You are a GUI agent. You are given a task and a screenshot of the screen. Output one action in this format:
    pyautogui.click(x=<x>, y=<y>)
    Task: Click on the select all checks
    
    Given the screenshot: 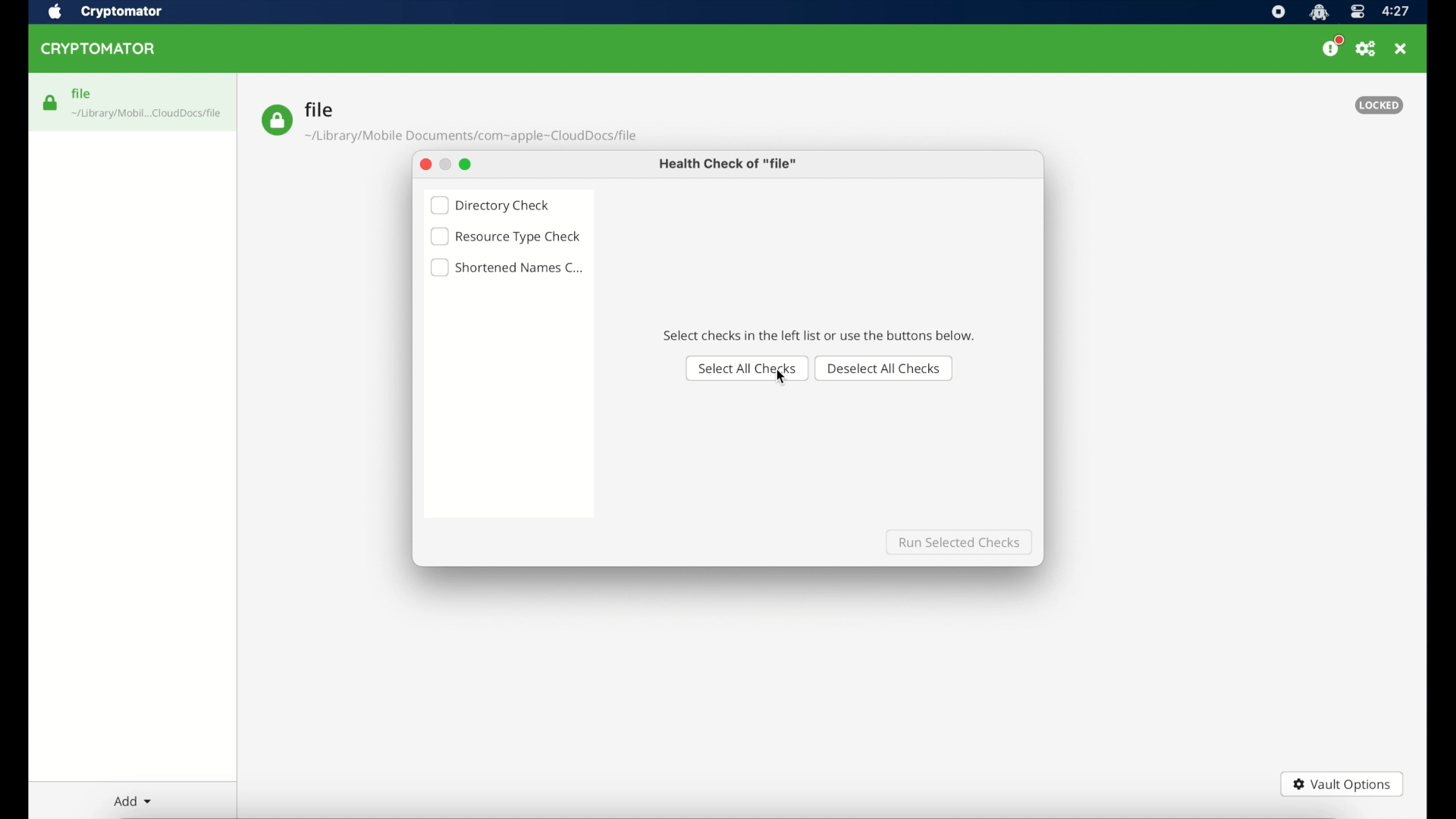 What is the action you would take?
    pyautogui.click(x=743, y=366)
    